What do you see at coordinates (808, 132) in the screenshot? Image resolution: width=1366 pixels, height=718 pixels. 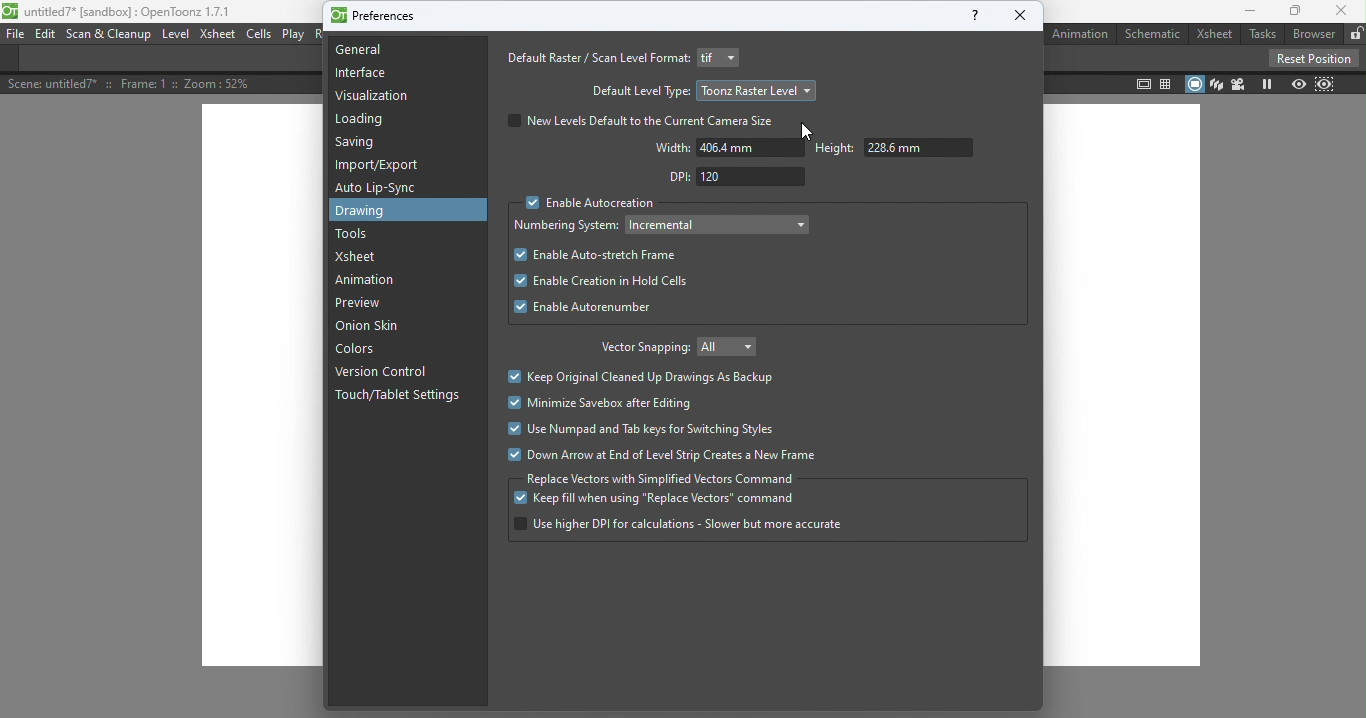 I see `Cursor` at bounding box center [808, 132].